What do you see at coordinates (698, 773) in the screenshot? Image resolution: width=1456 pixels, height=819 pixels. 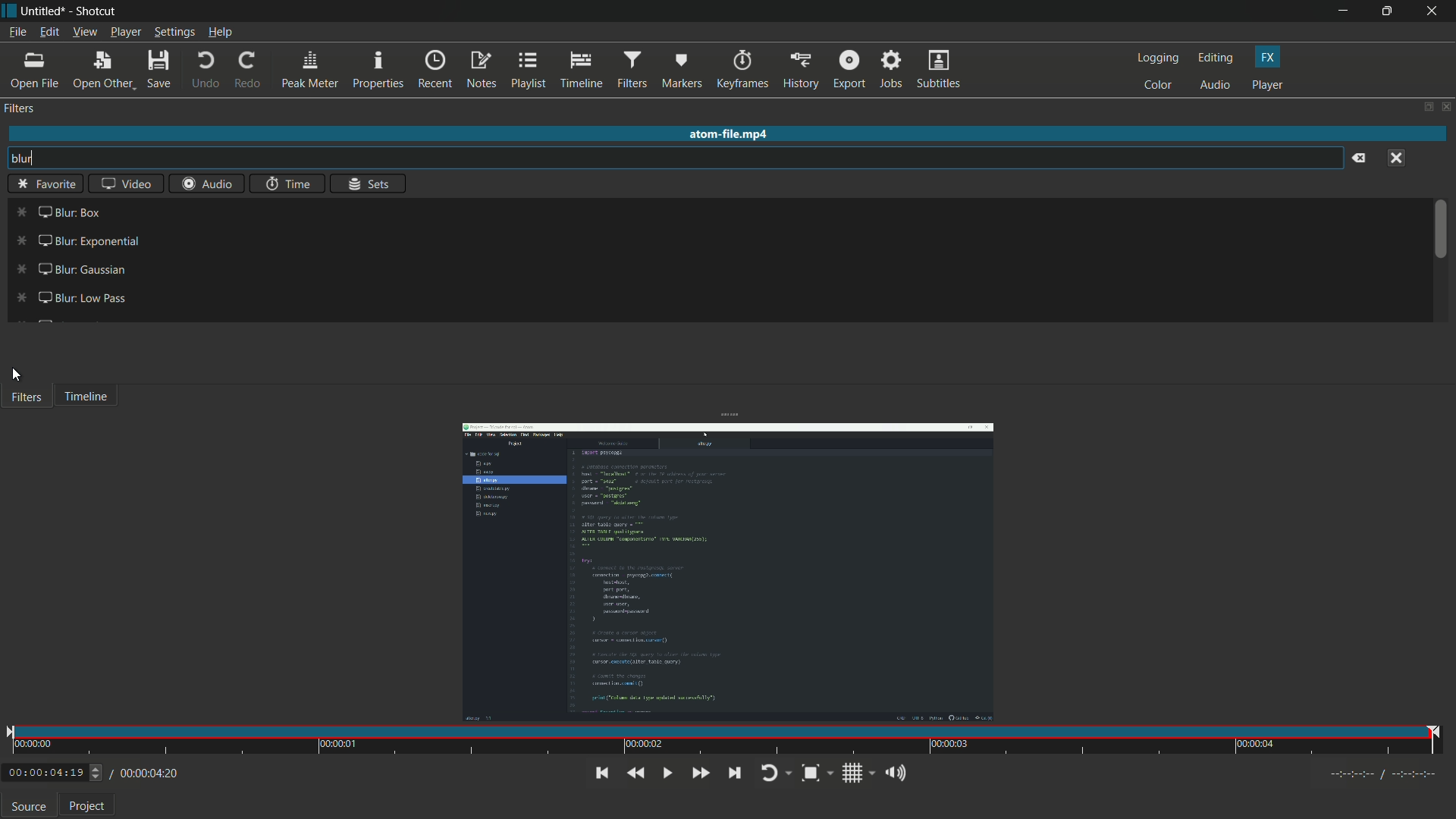 I see `quickly play forward` at bounding box center [698, 773].